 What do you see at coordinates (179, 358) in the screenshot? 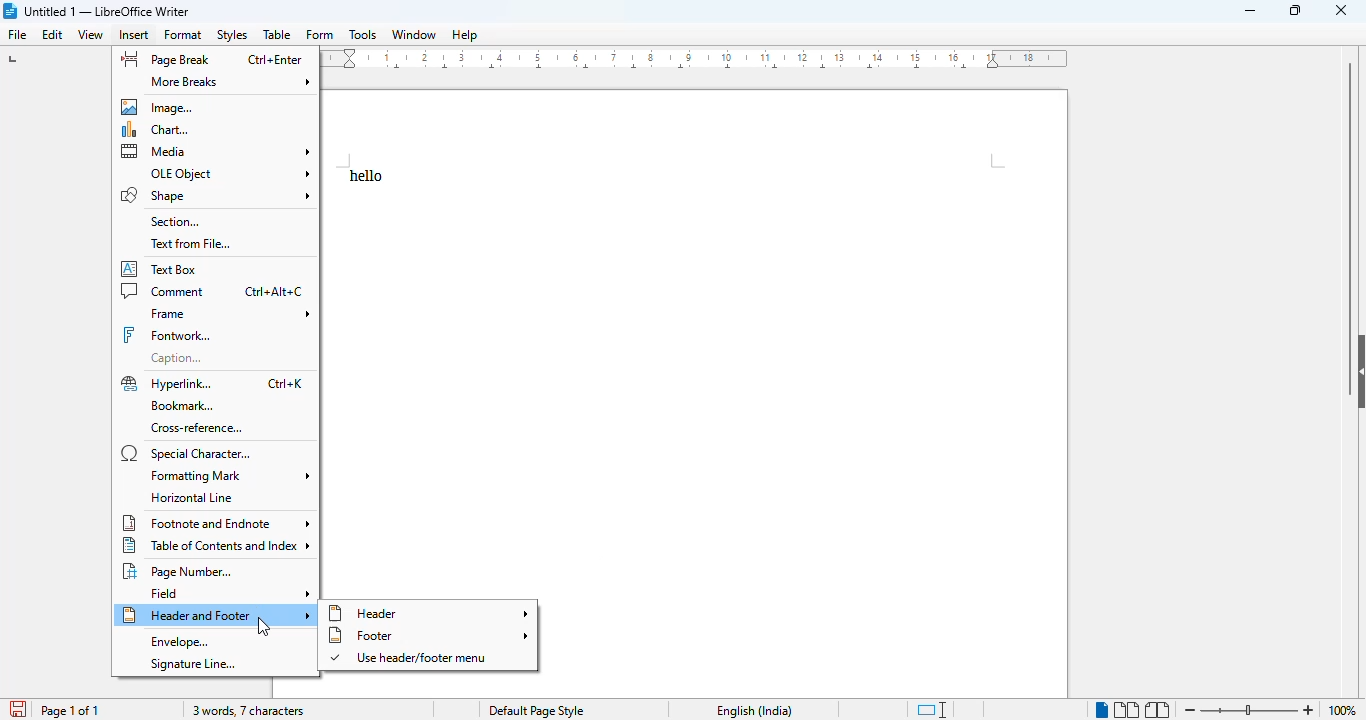
I see `caption` at bounding box center [179, 358].